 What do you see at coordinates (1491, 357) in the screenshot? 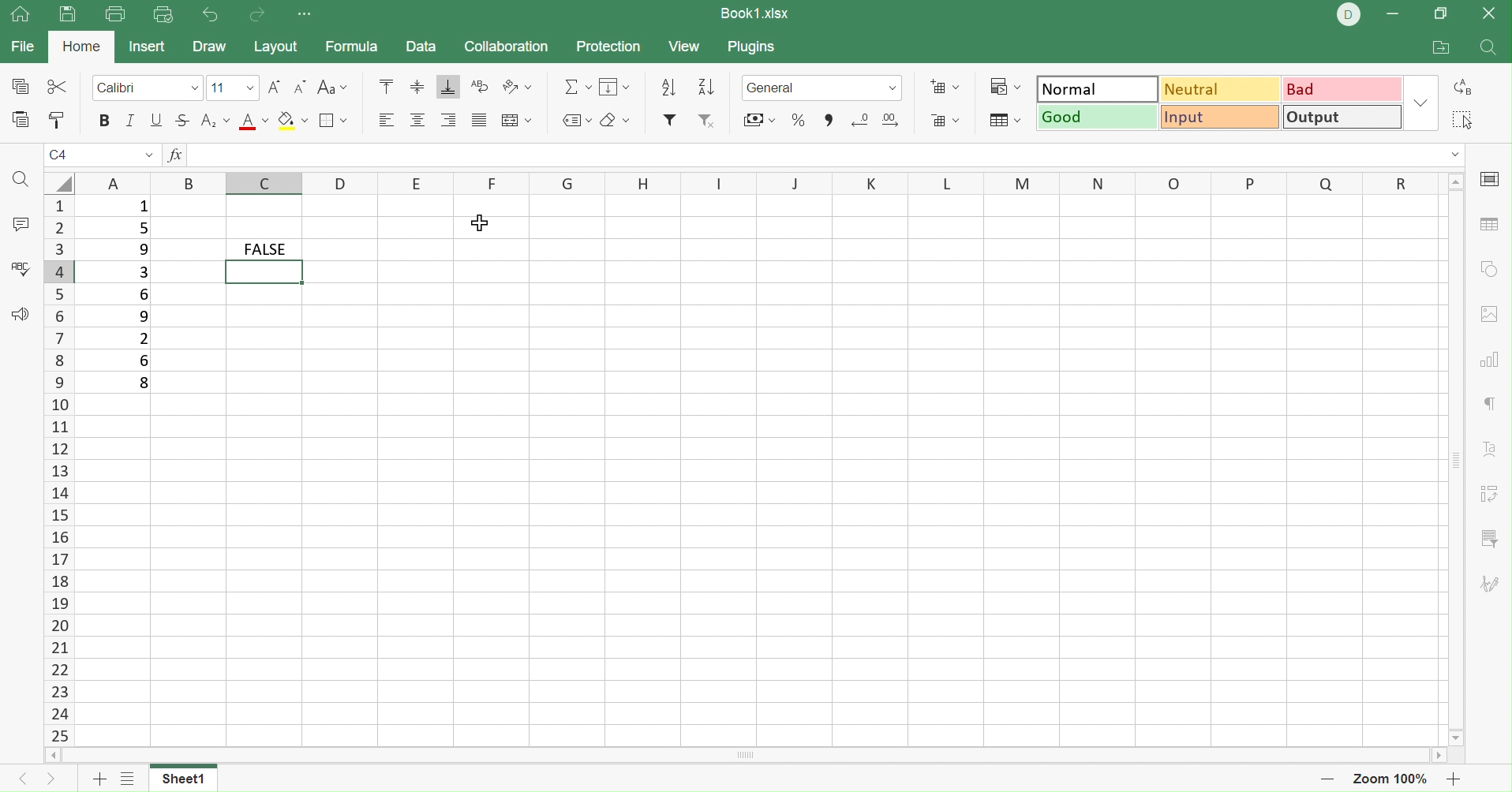
I see `Chart settings` at bounding box center [1491, 357].